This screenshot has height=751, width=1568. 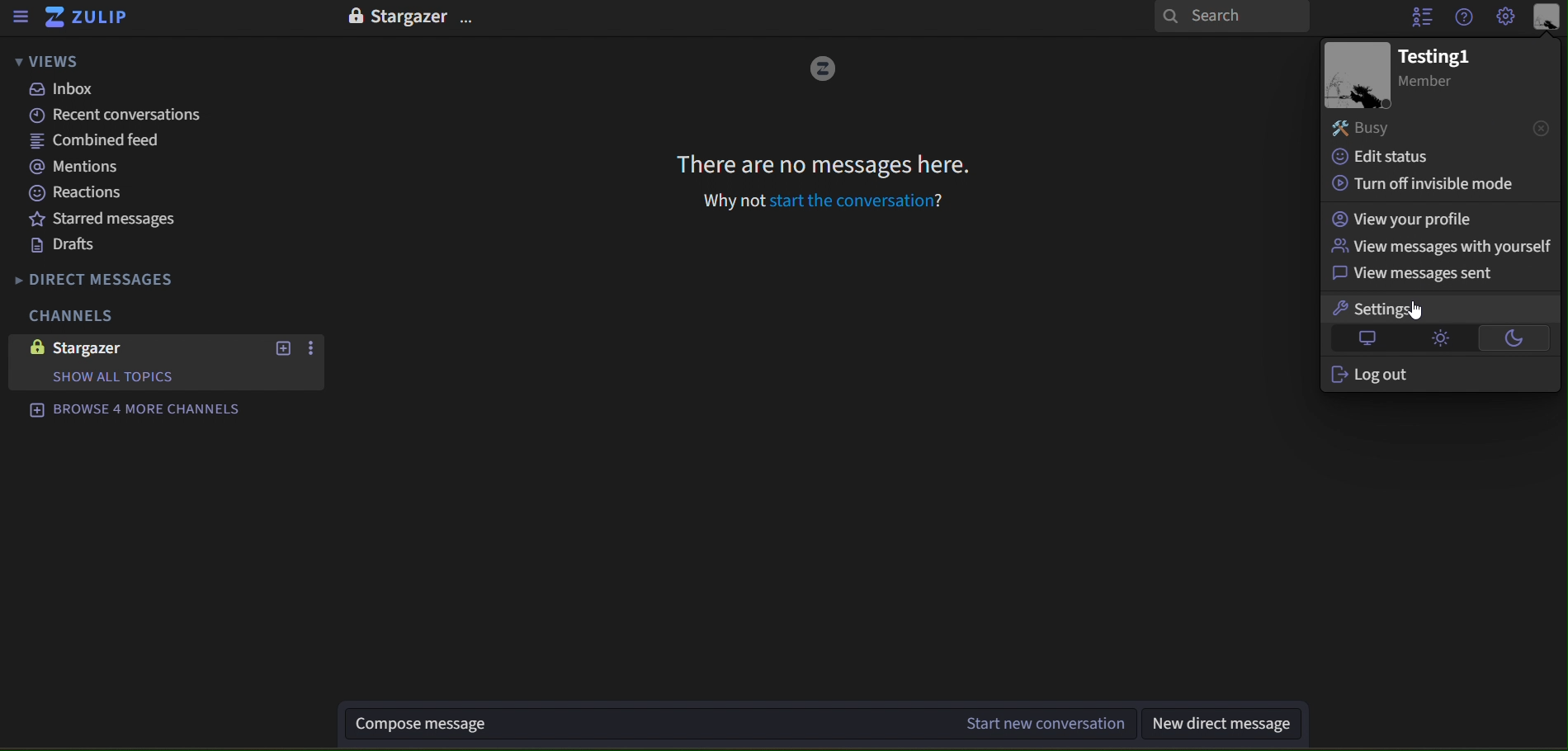 I want to click on combined feed, so click(x=97, y=142).